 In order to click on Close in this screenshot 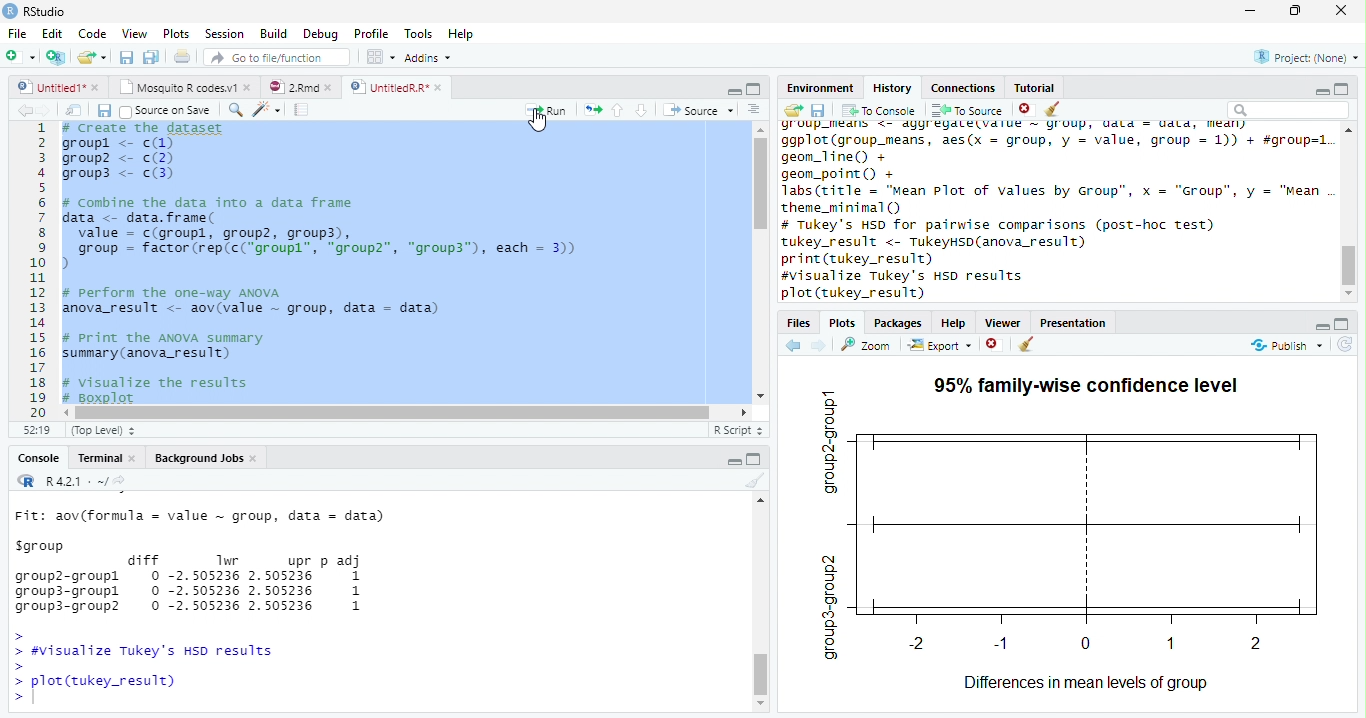, I will do `click(1339, 12)`.